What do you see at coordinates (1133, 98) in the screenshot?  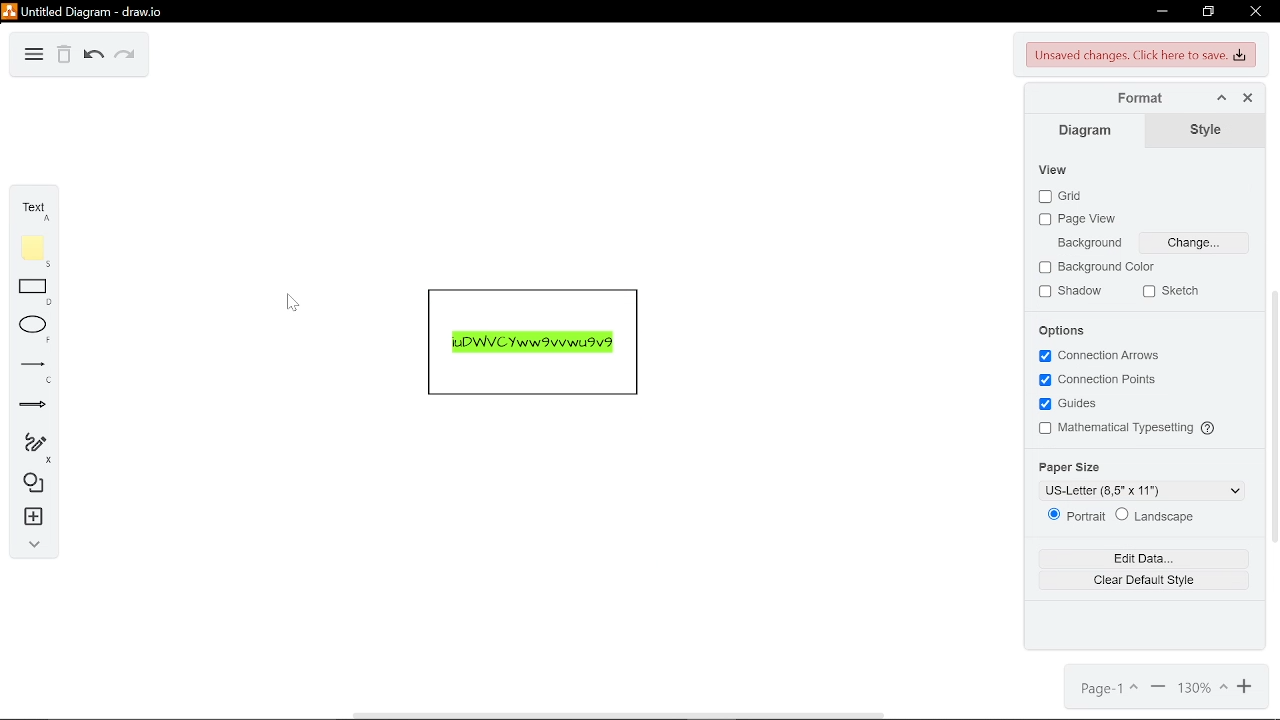 I see `format` at bounding box center [1133, 98].